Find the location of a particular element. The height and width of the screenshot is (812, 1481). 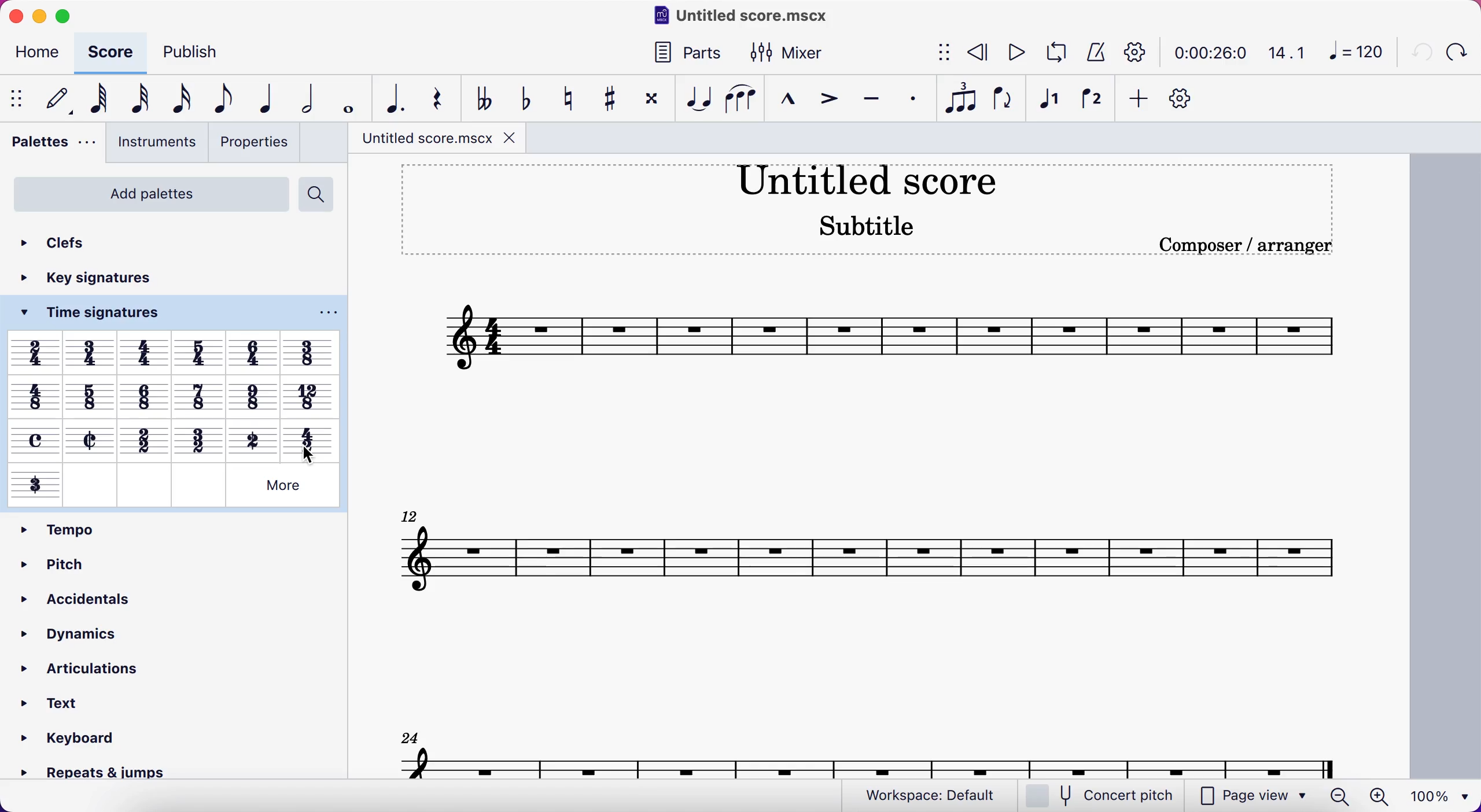

Composer / arranger is located at coordinates (1243, 245).